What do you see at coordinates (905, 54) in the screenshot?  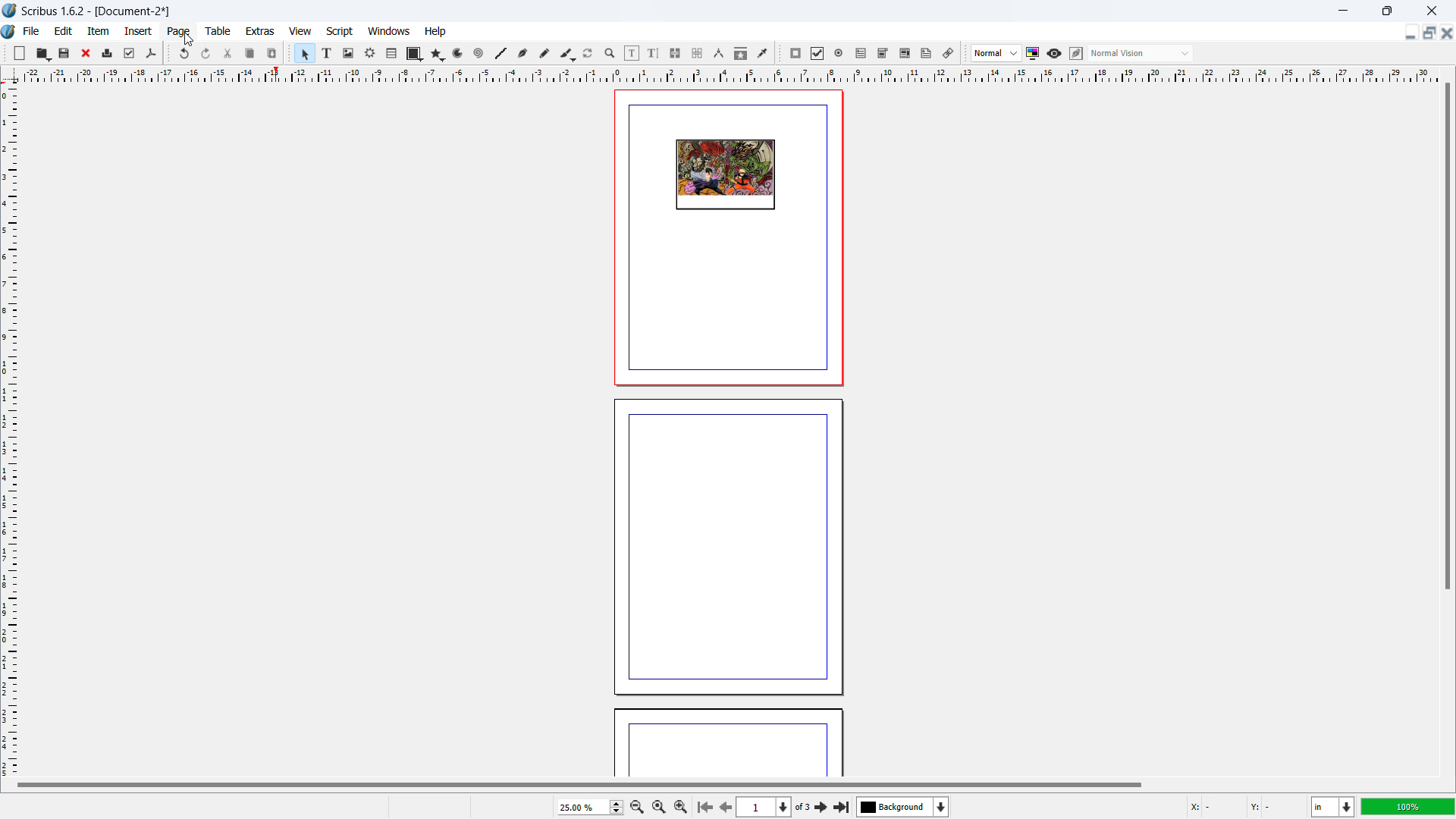 I see `pdf list box` at bounding box center [905, 54].